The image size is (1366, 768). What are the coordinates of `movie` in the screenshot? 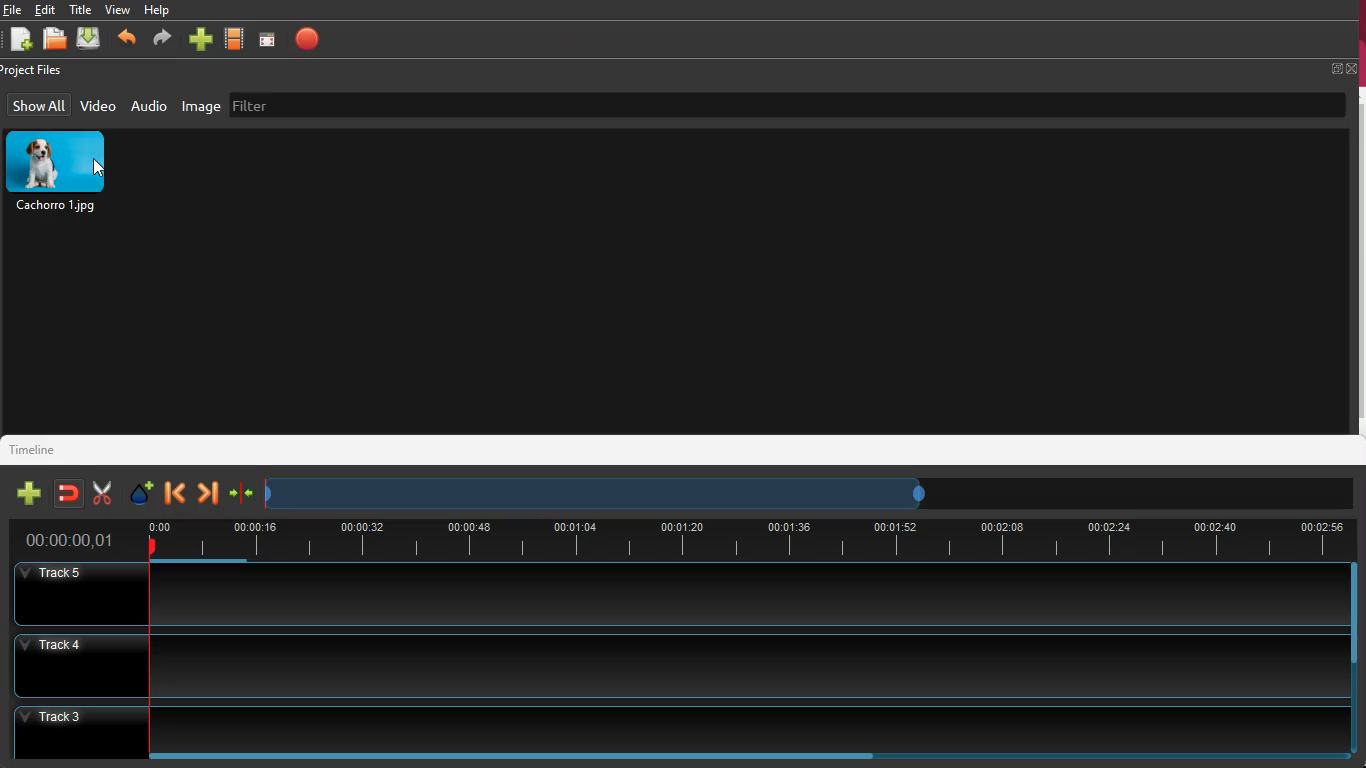 It's located at (237, 38).